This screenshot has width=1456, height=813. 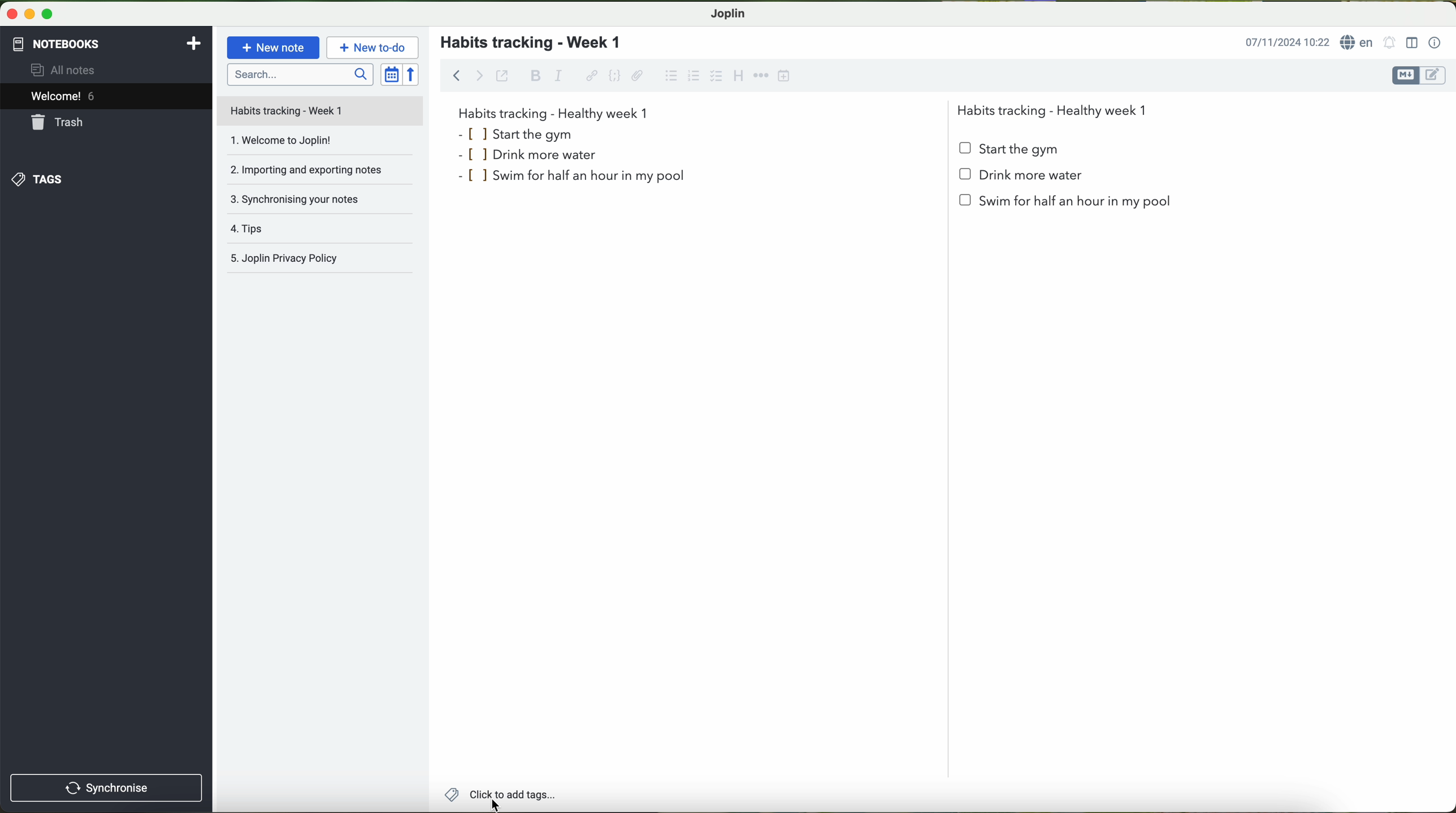 What do you see at coordinates (27, 13) in the screenshot?
I see `minimize` at bounding box center [27, 13].